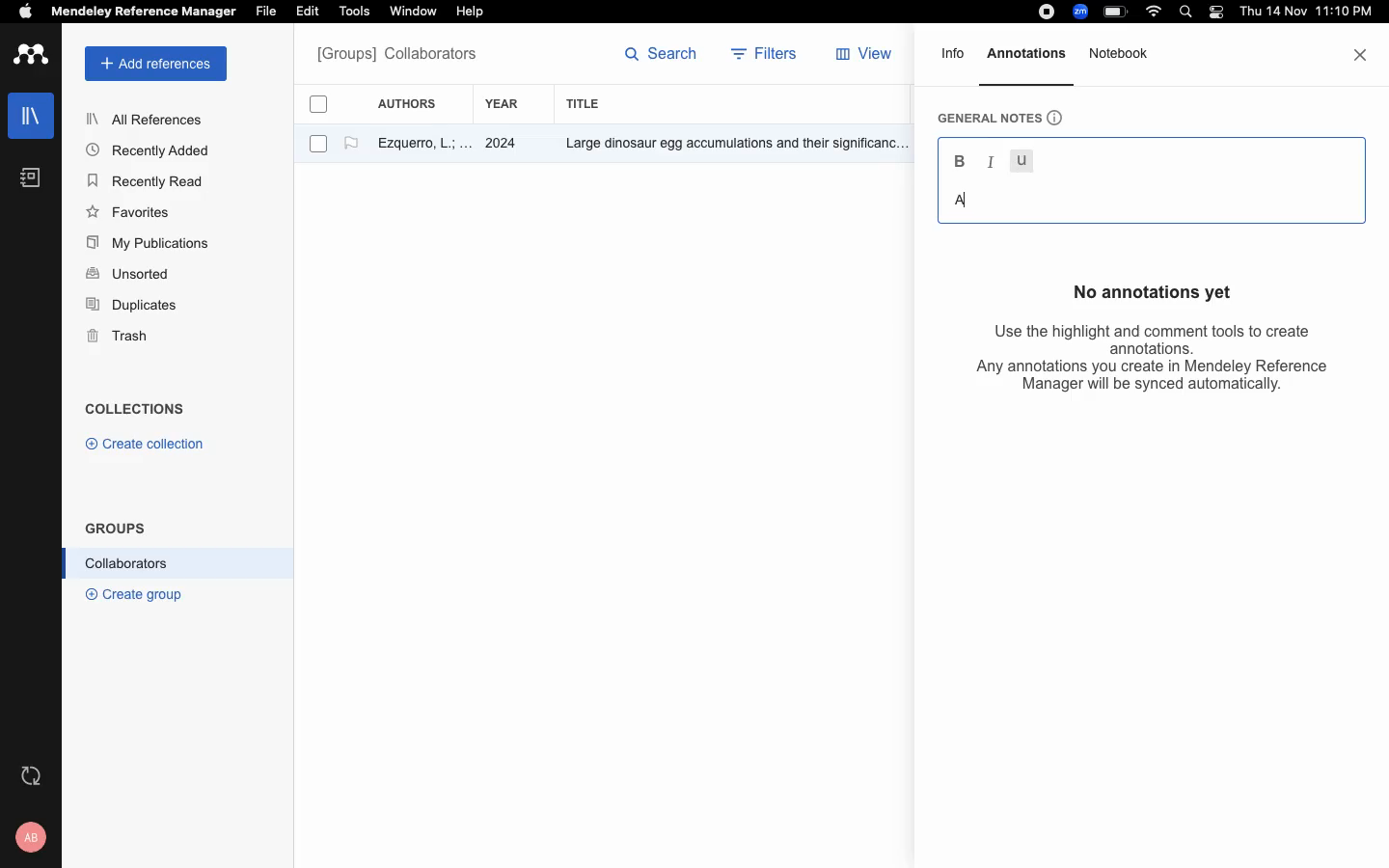 Image resolution: width=1389 pixels, height=868 pixels. What do you see at coordinates (146, 448) in the screenshot?
I see `© Create collection` at bounding box center [146, 448].